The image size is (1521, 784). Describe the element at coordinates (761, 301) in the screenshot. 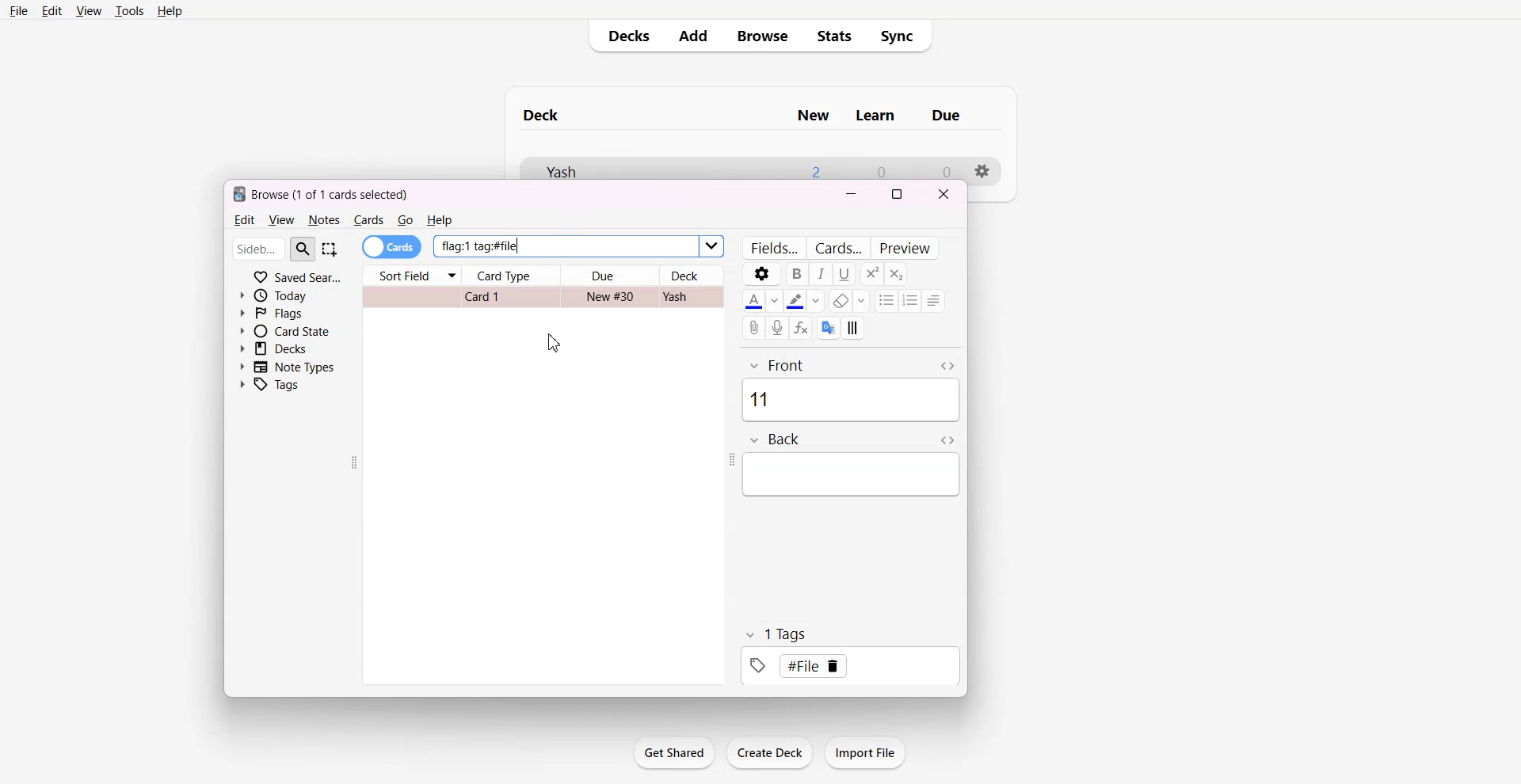

I see `Text Color` at that location.